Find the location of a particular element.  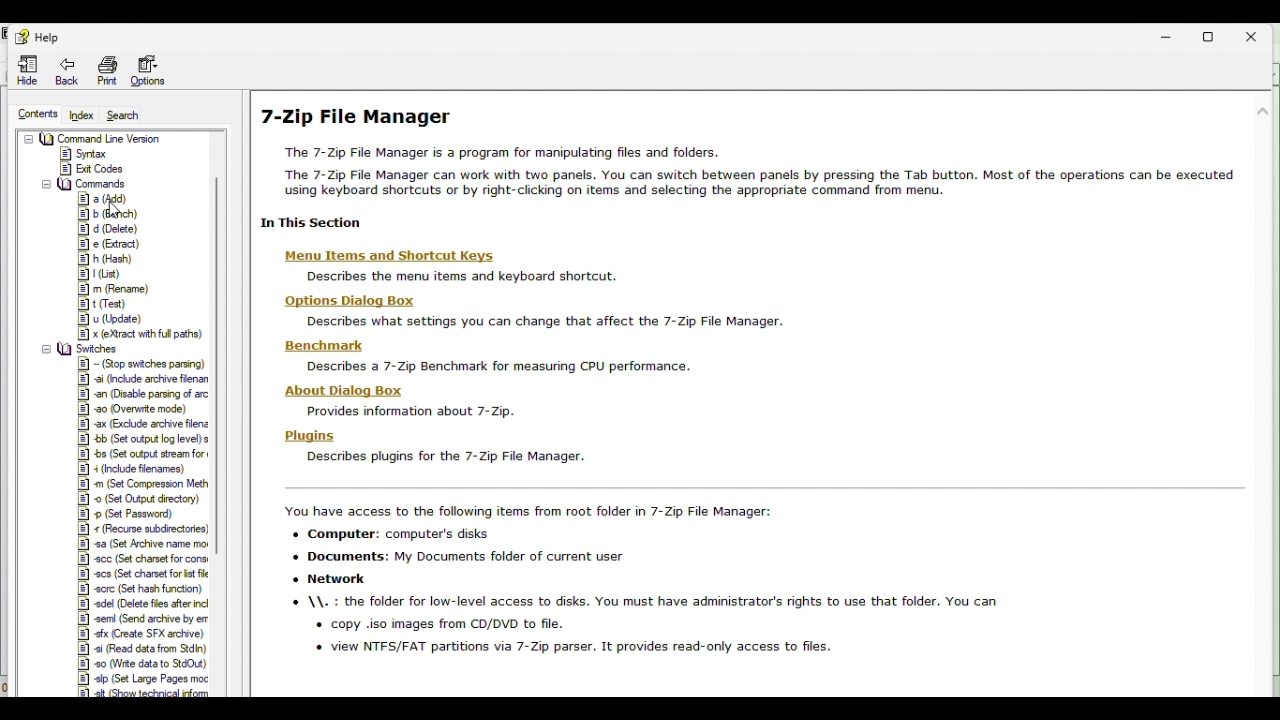

hide  is located at coordinates (24, 71).